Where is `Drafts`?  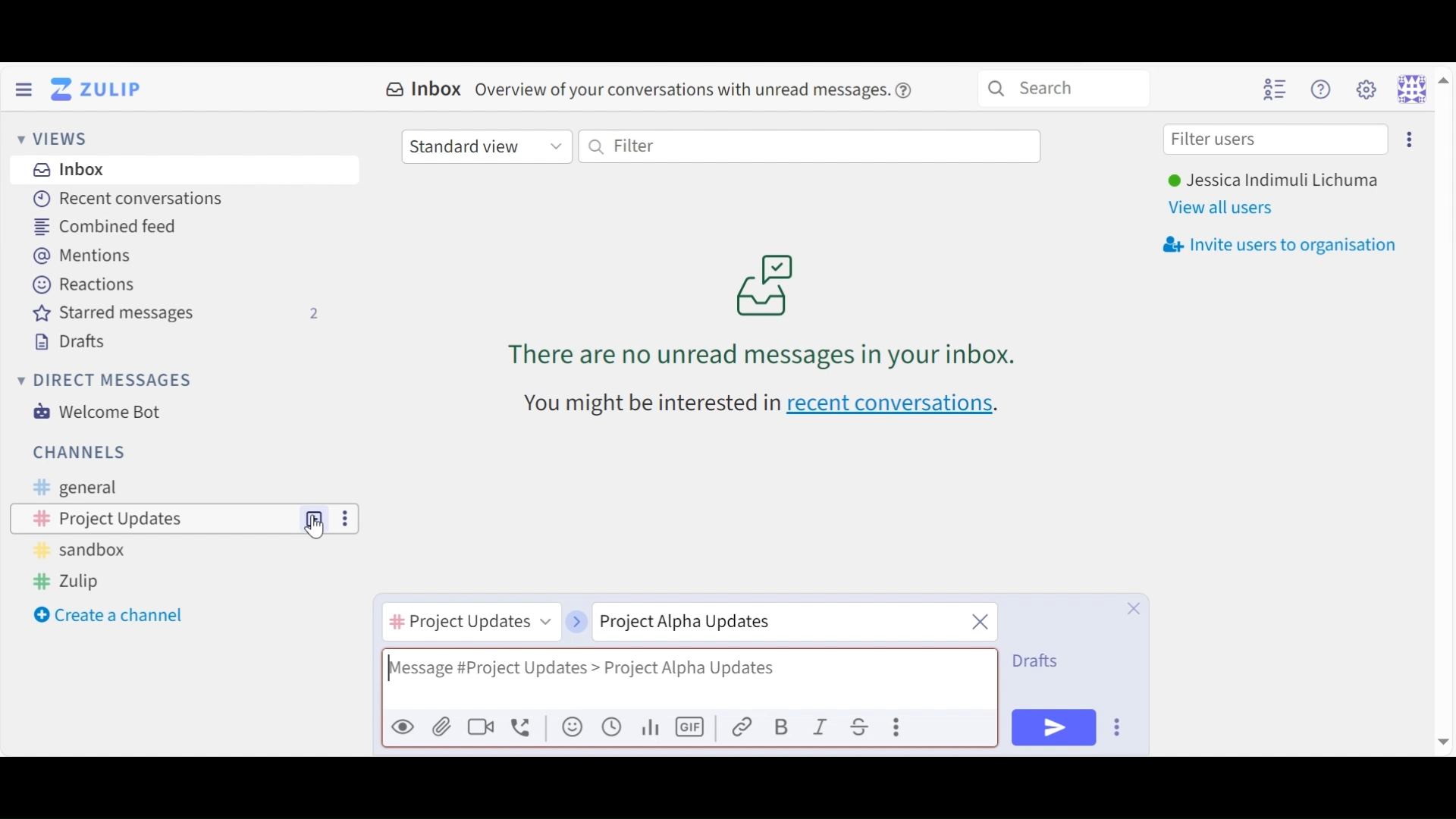
Drafts is located at coordinates (77, 340).